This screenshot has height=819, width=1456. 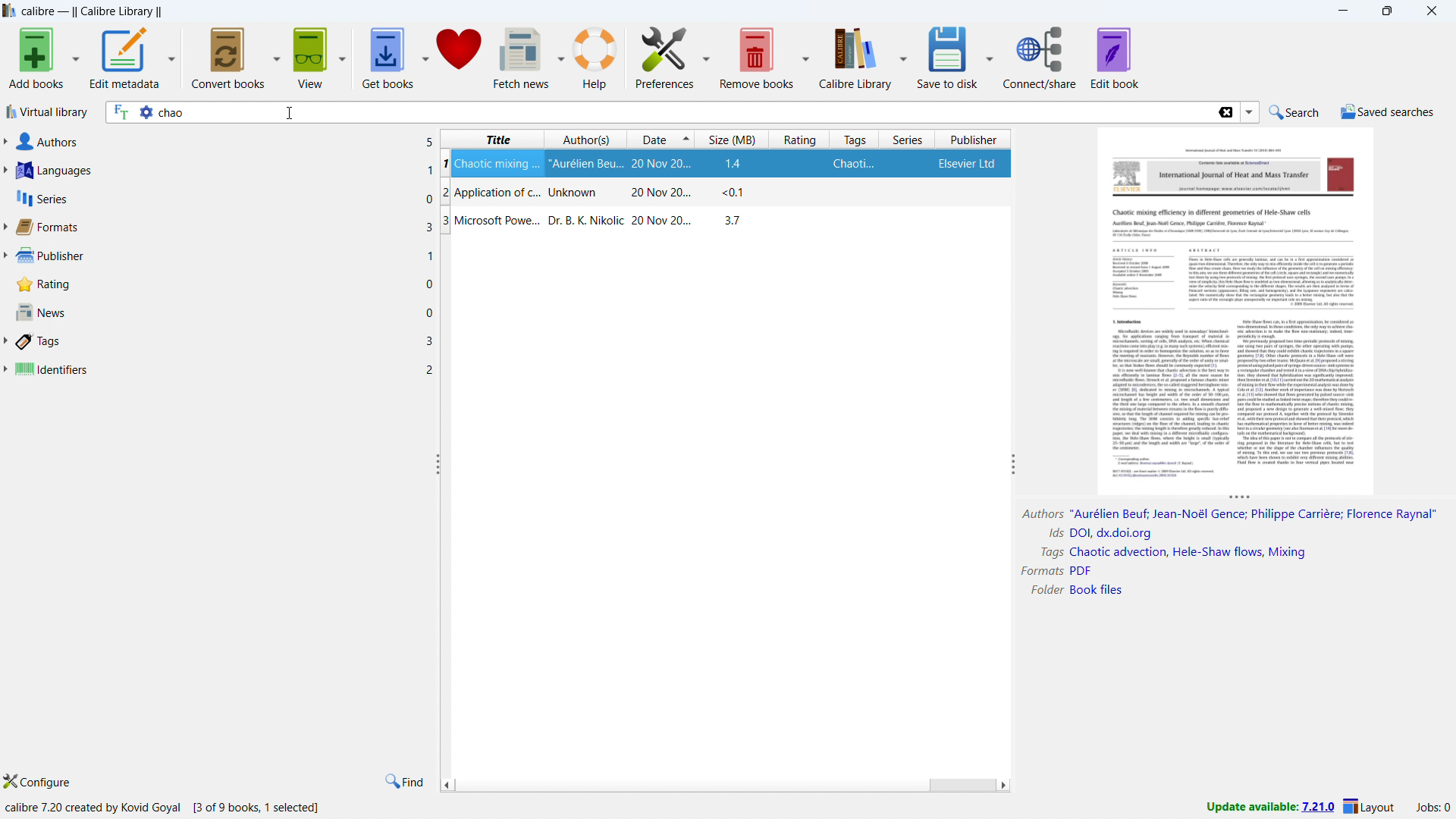 What do you see at coordinates (1194, 551) in the screenshot?
I see `Chaotic advection, Hele-Shaw flows, Mixing` at bounding box center [1194, 551].